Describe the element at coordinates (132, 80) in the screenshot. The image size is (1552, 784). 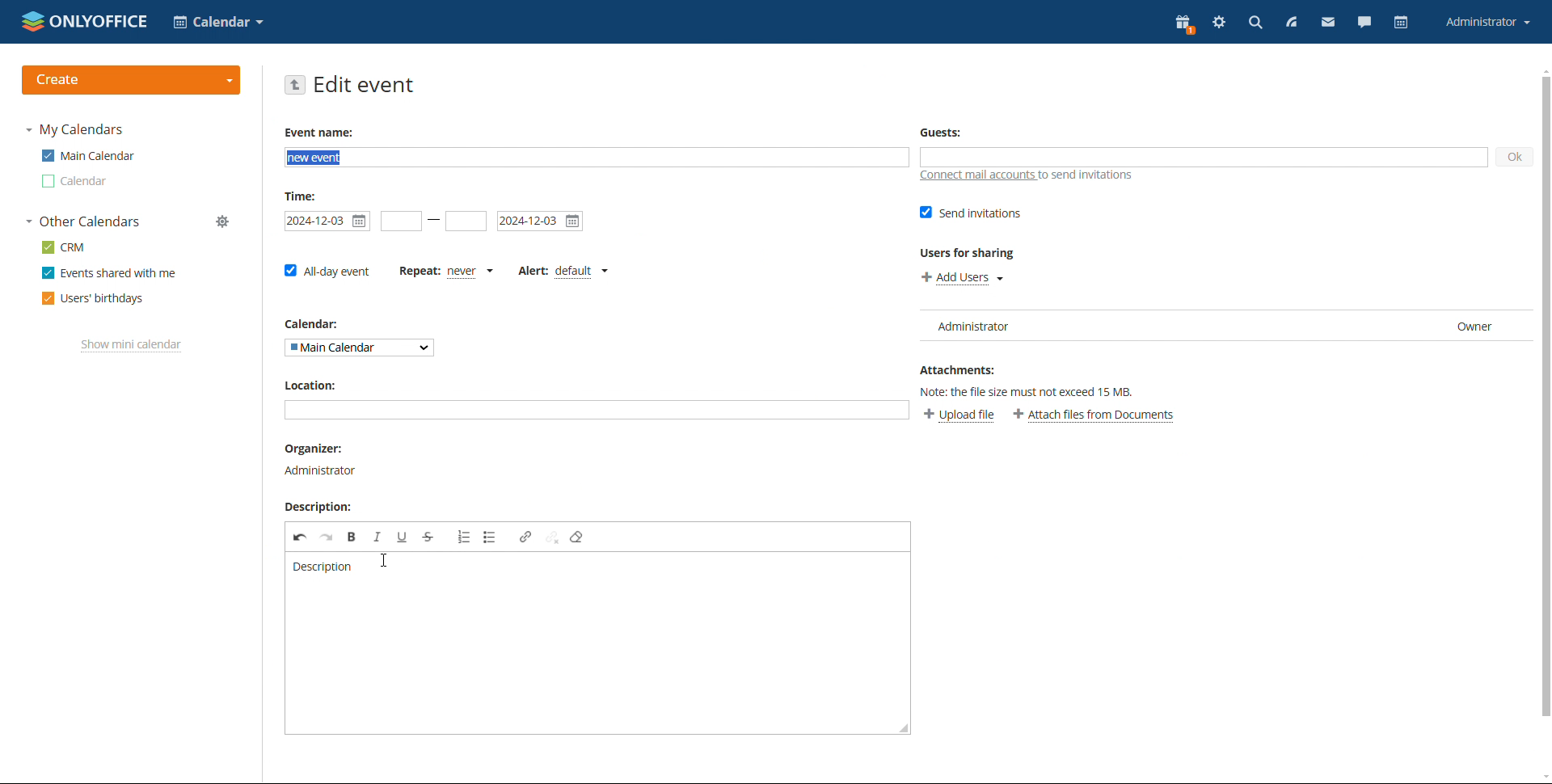
I see `create` at that location.